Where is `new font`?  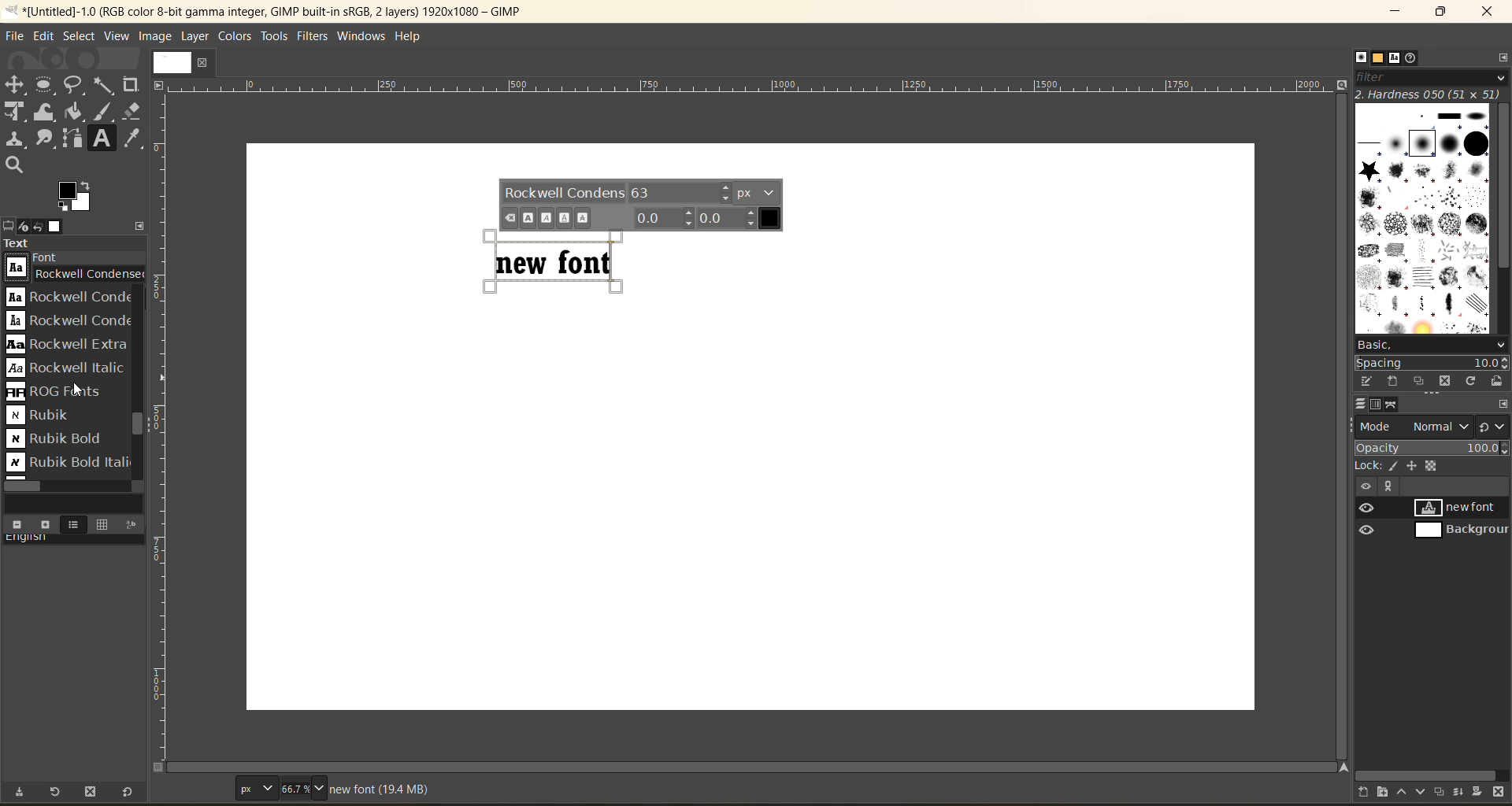 new font is located at coordinates (1464, 509).